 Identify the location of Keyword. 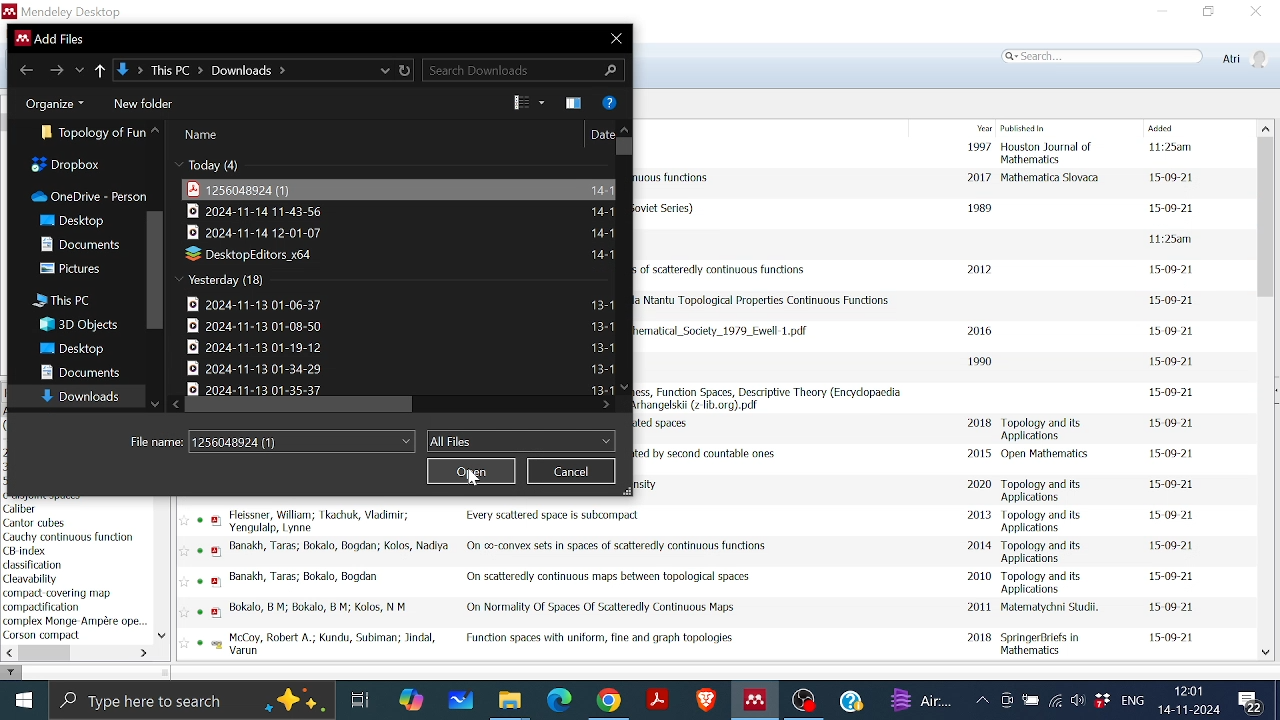
(40, 638).